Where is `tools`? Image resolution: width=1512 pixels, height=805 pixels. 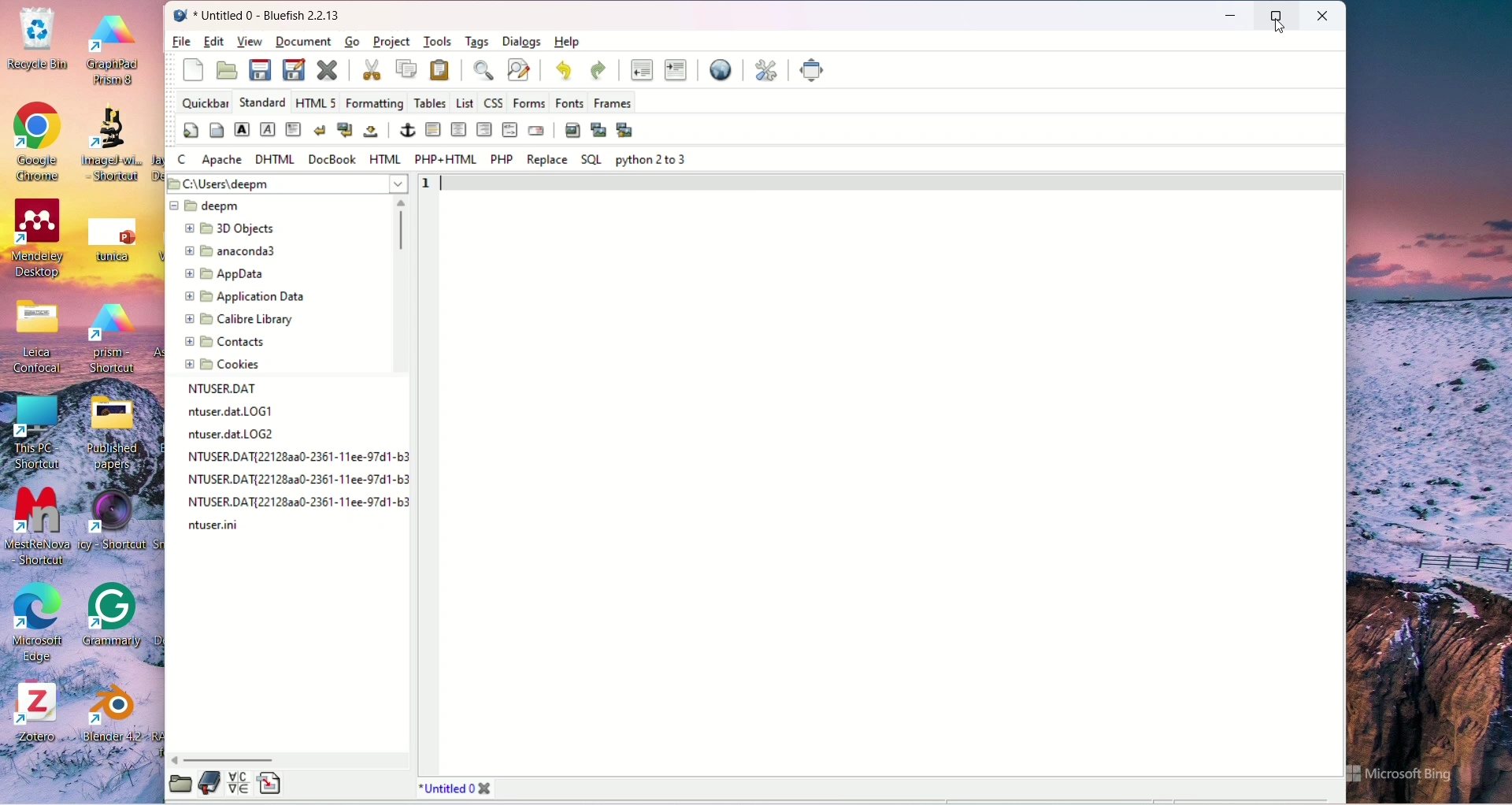
tools is located at coordinates (437, 41).